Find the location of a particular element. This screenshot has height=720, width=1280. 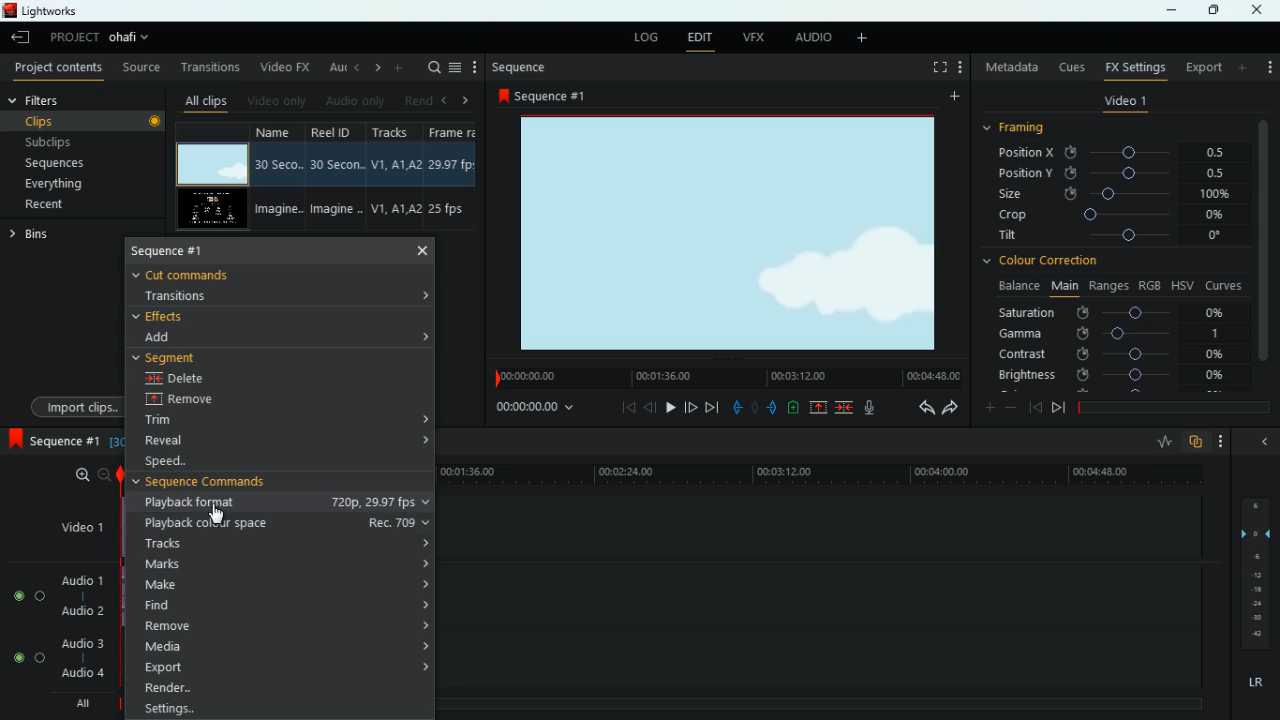

rend is located at coordinates (416, 99).